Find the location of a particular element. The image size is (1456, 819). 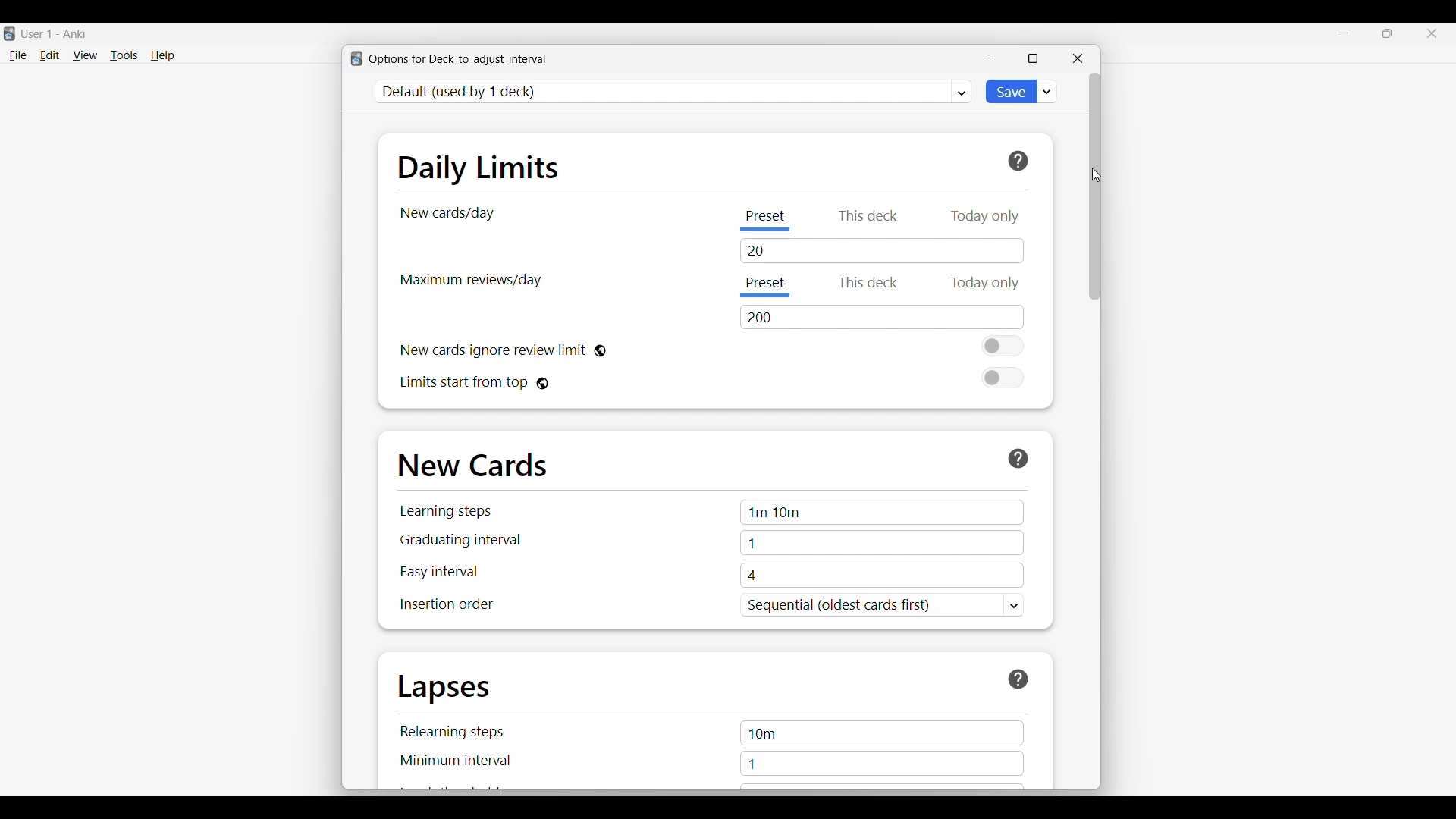

Click to access other decks for settings is located at coordinates (674, 92).